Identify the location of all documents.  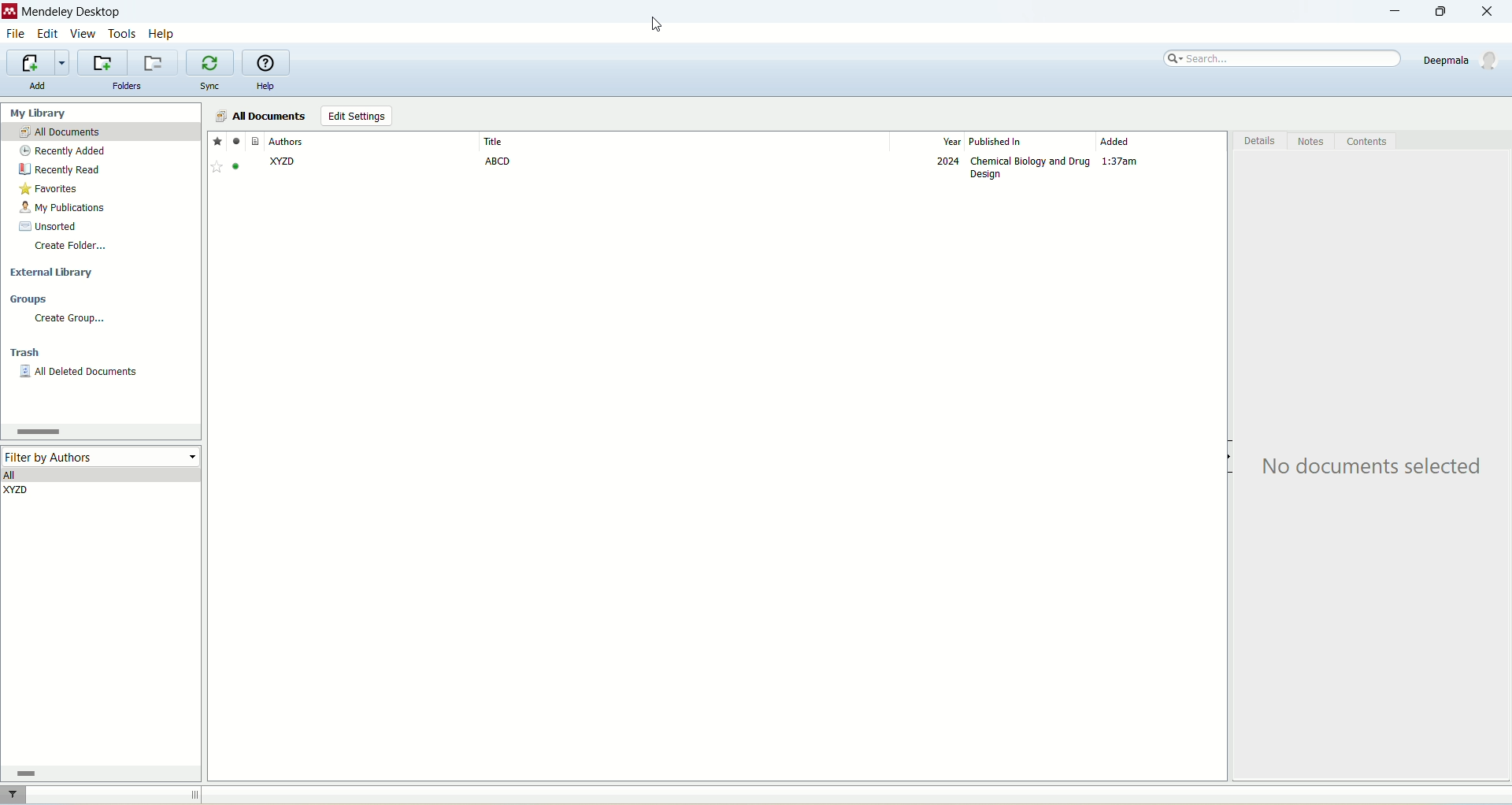
(101, 132).